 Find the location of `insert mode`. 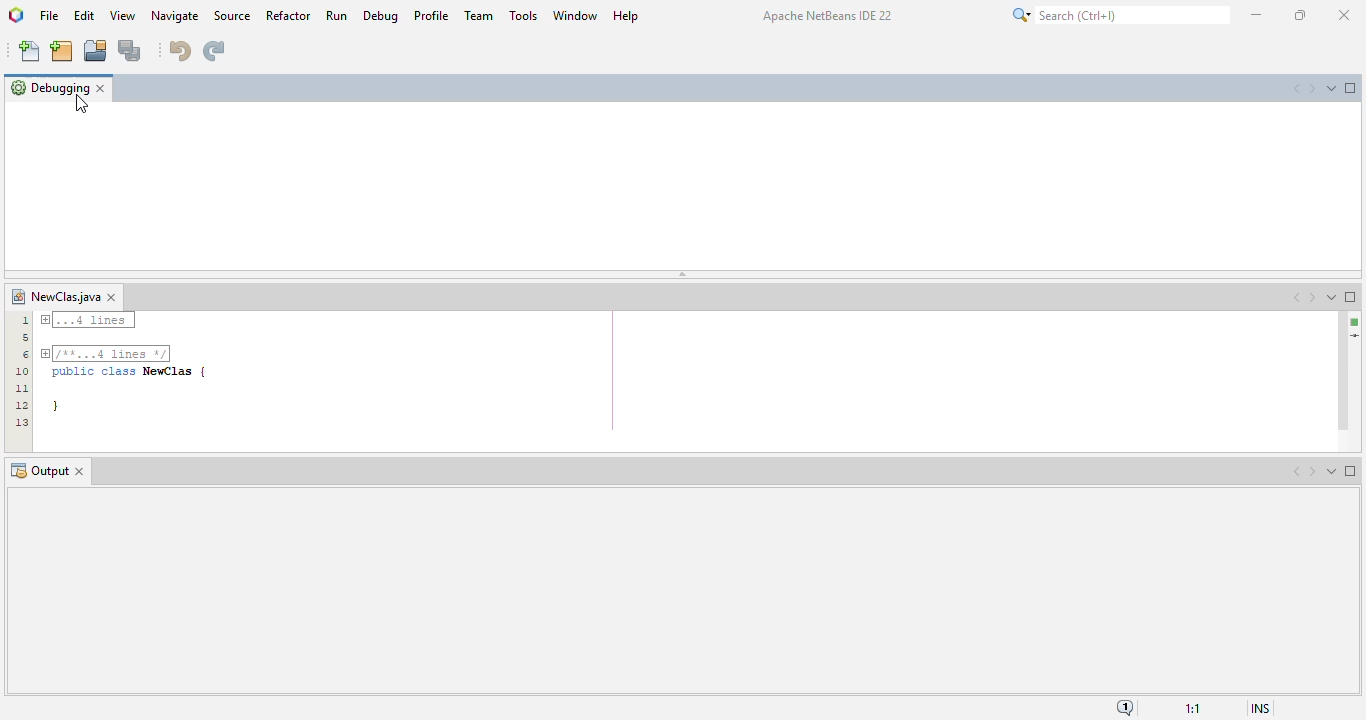

insert mode is located at coordinates (1259, 708).